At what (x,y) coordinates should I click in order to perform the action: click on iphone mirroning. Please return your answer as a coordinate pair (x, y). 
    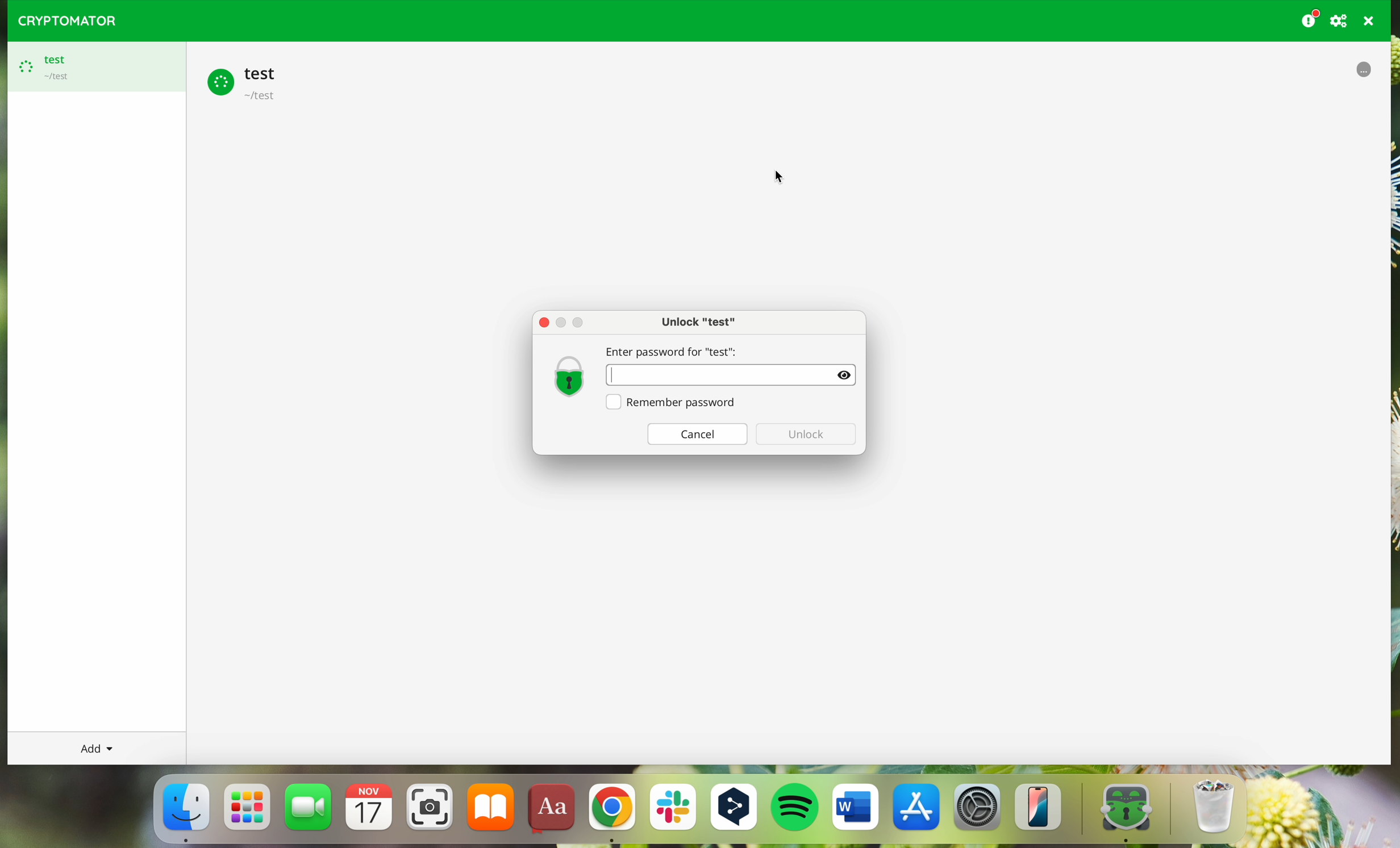
    Looking at the image, I should click on (1041, 811).